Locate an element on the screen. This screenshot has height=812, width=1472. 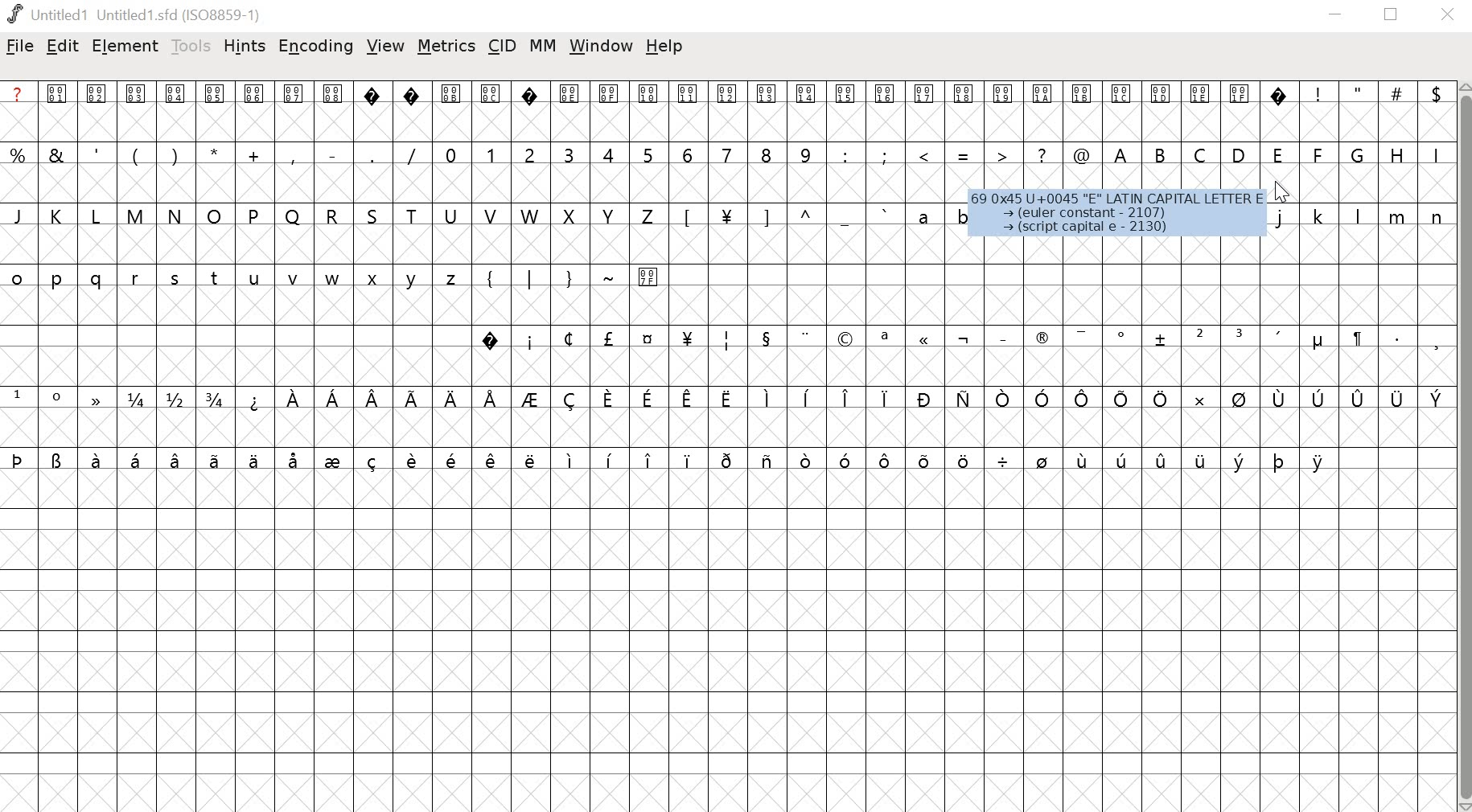
window is located at coordinates (599, 45).